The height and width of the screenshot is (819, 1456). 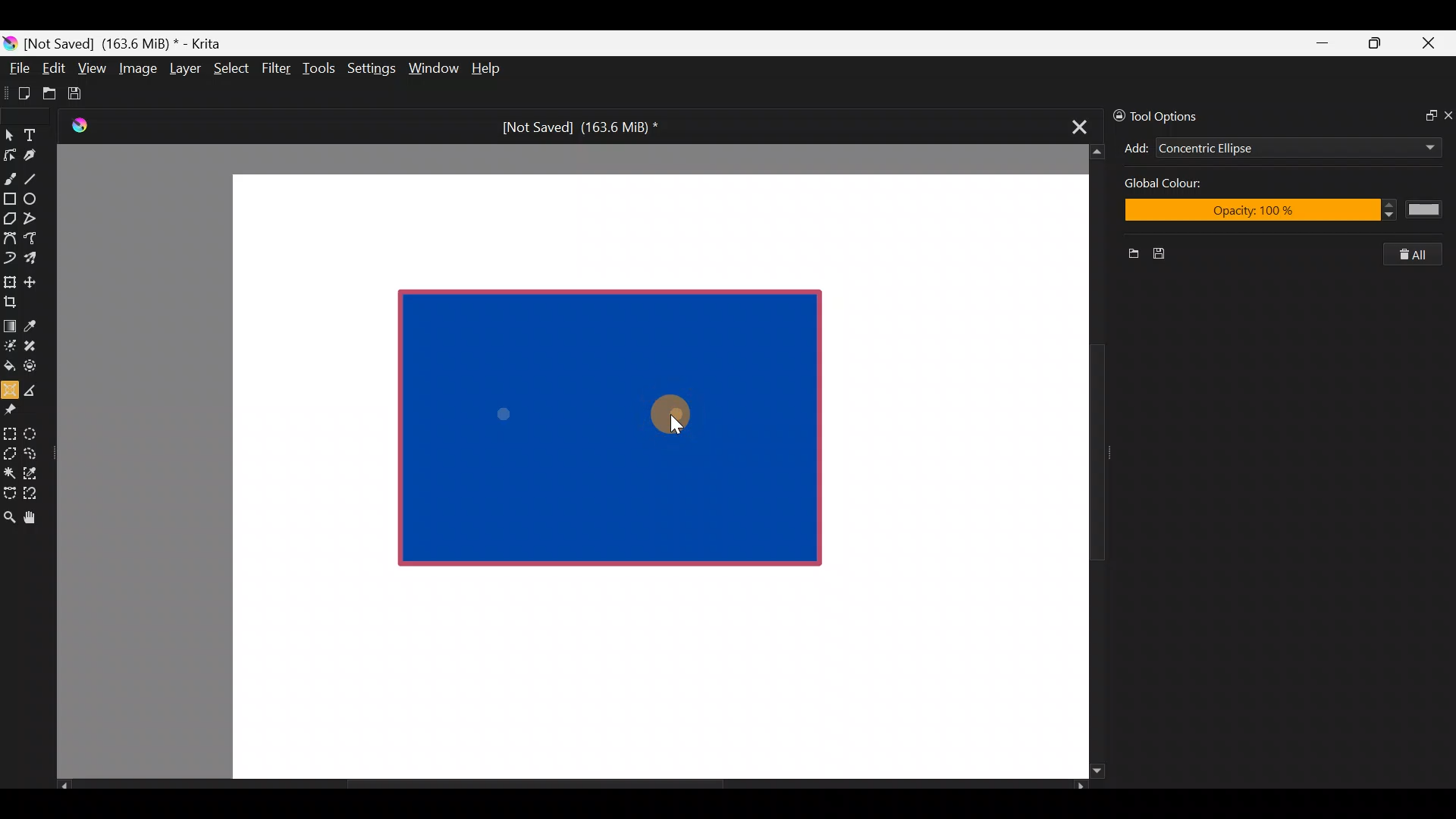 What do you see at coordinates (85, 93) in the screenshot?
I see `Save` at bounding box center [85, 93].